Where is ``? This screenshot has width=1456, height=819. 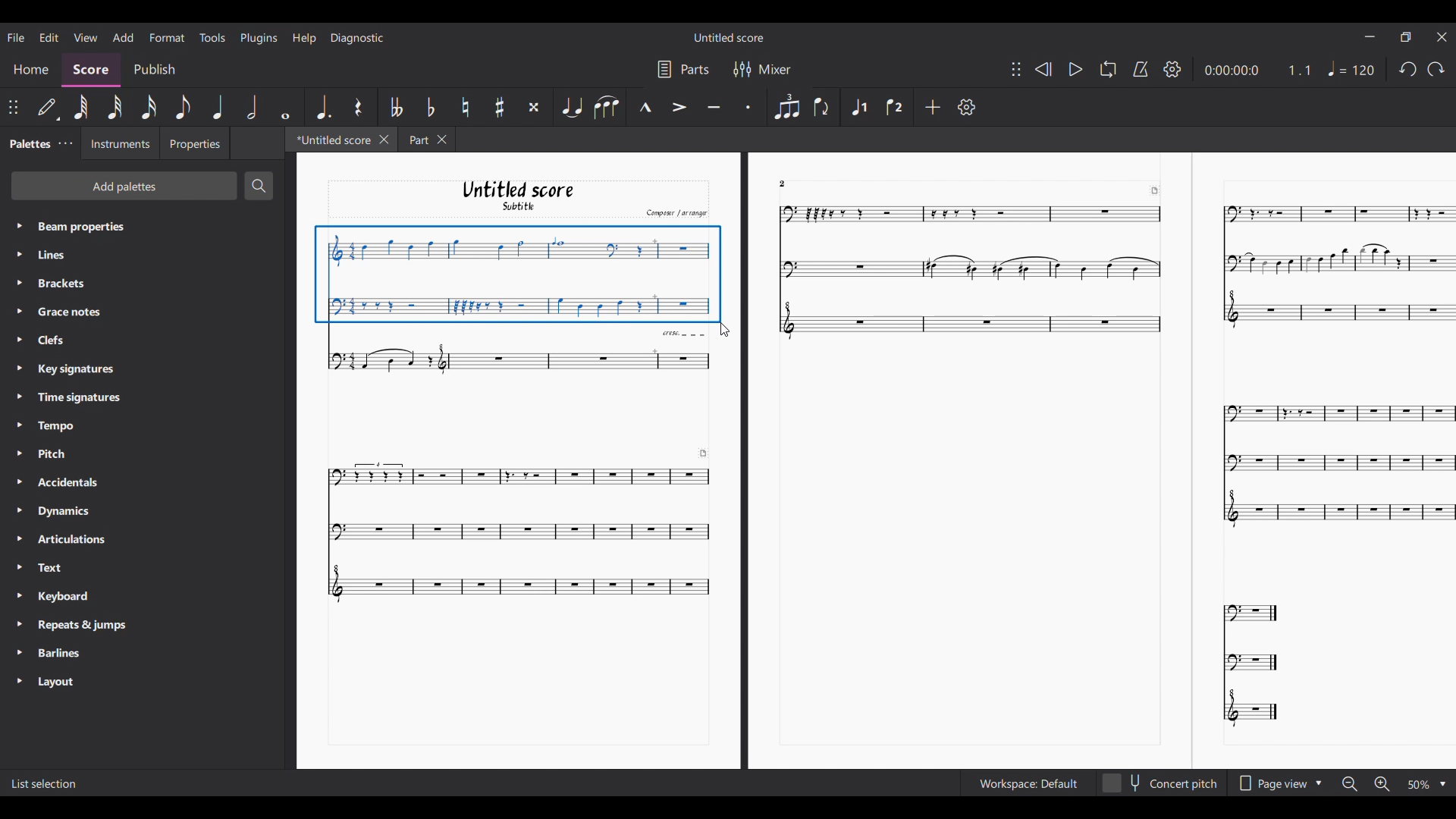  is located at coordinates (522, 475).